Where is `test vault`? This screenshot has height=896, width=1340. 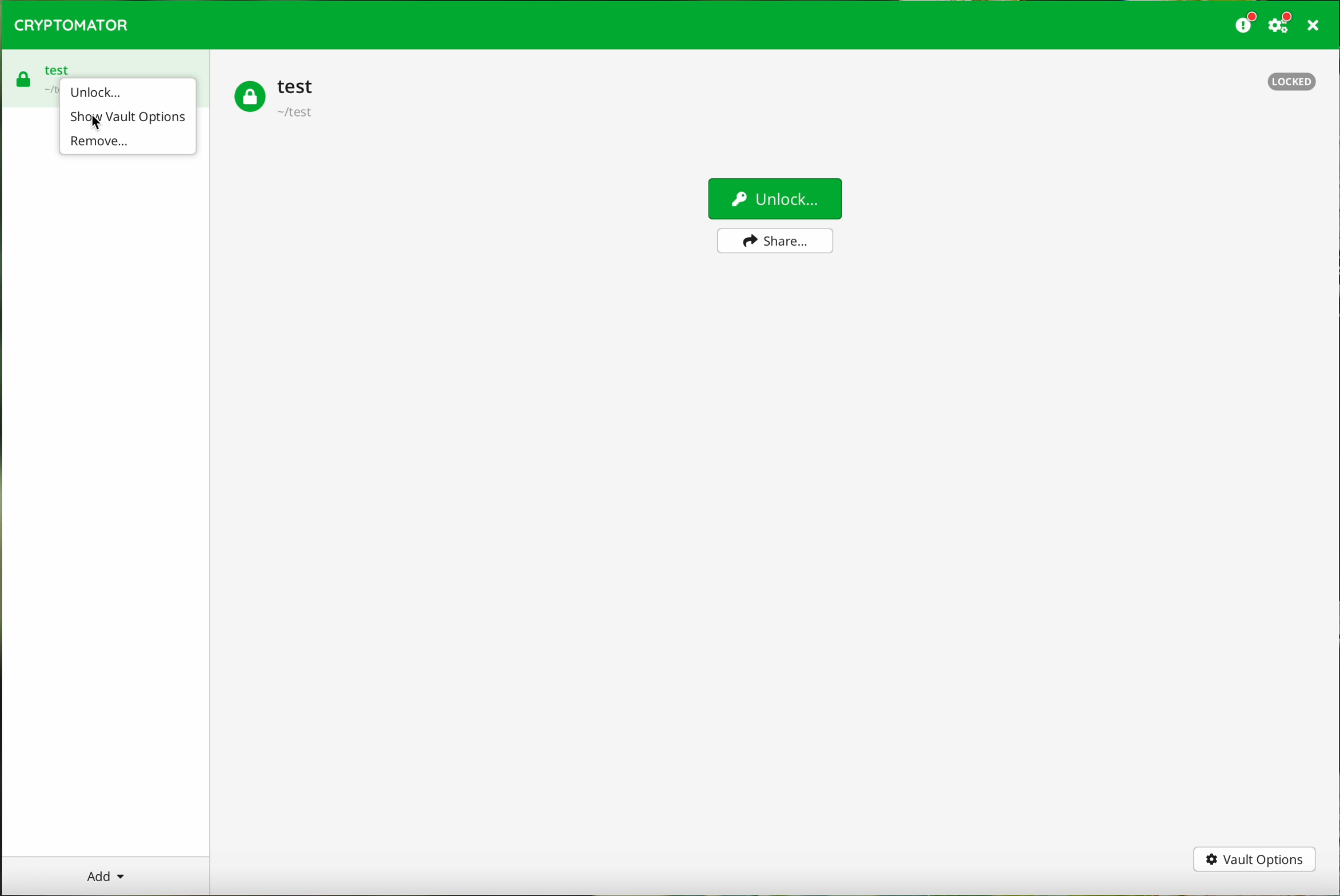 test vault is located at coordinates (32, 74).